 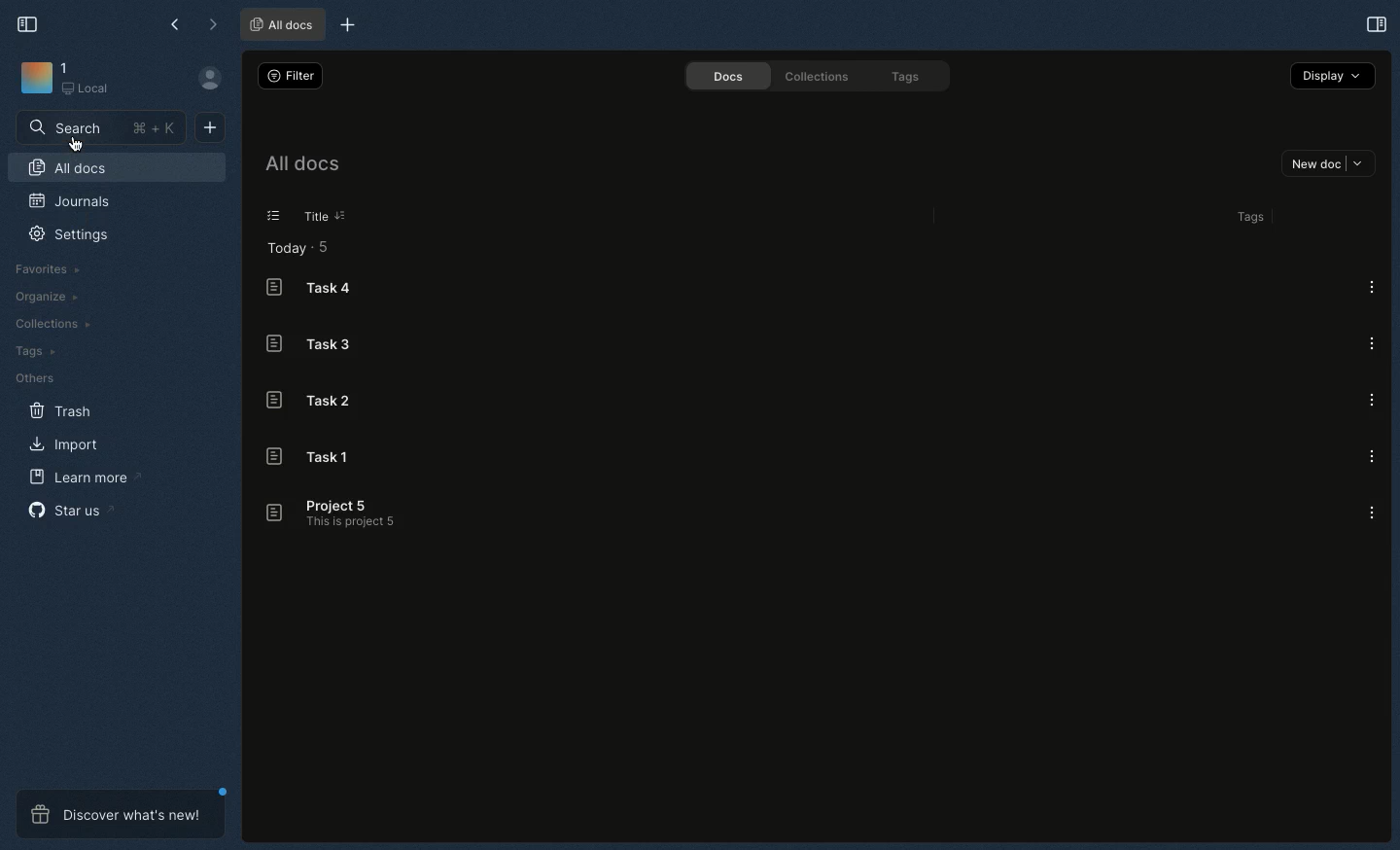 What do you see at coordinates (1333, 78) in the screenshot?
I see `Display` at bounding box center [1333, 78].